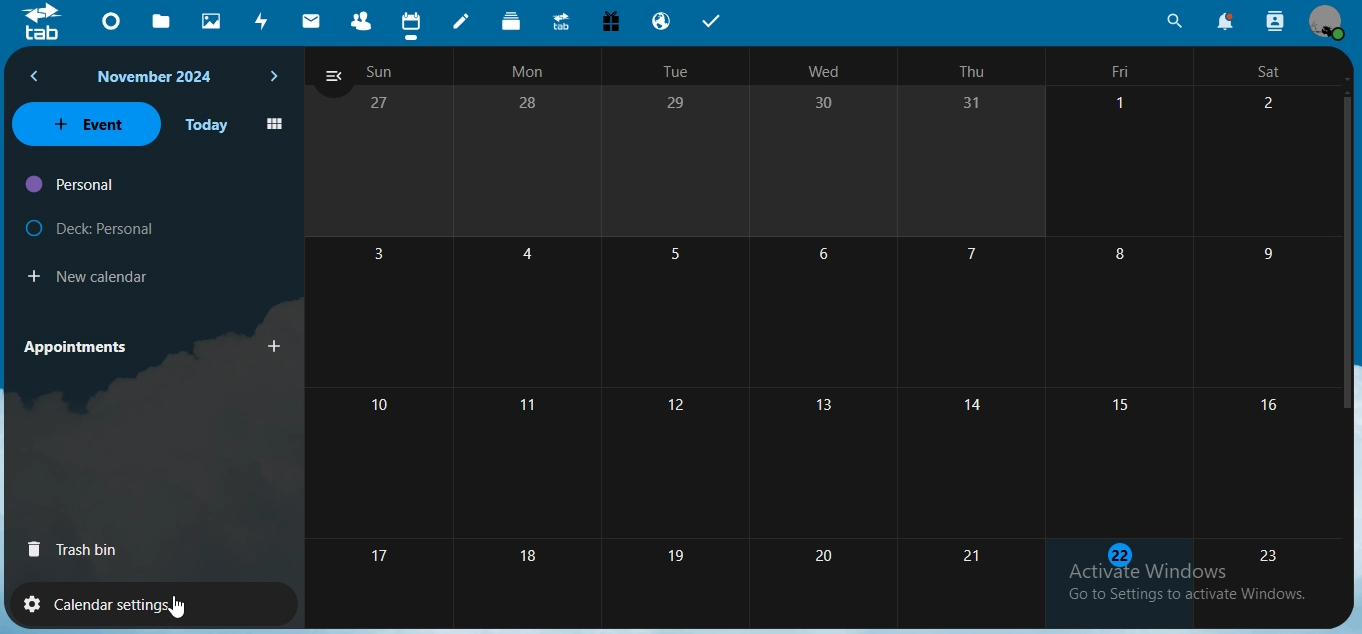 This screenshot has height=634, width=1362. Describe the element at coordinates (411, 22) in the screenshot. I see `calendar` at that location.